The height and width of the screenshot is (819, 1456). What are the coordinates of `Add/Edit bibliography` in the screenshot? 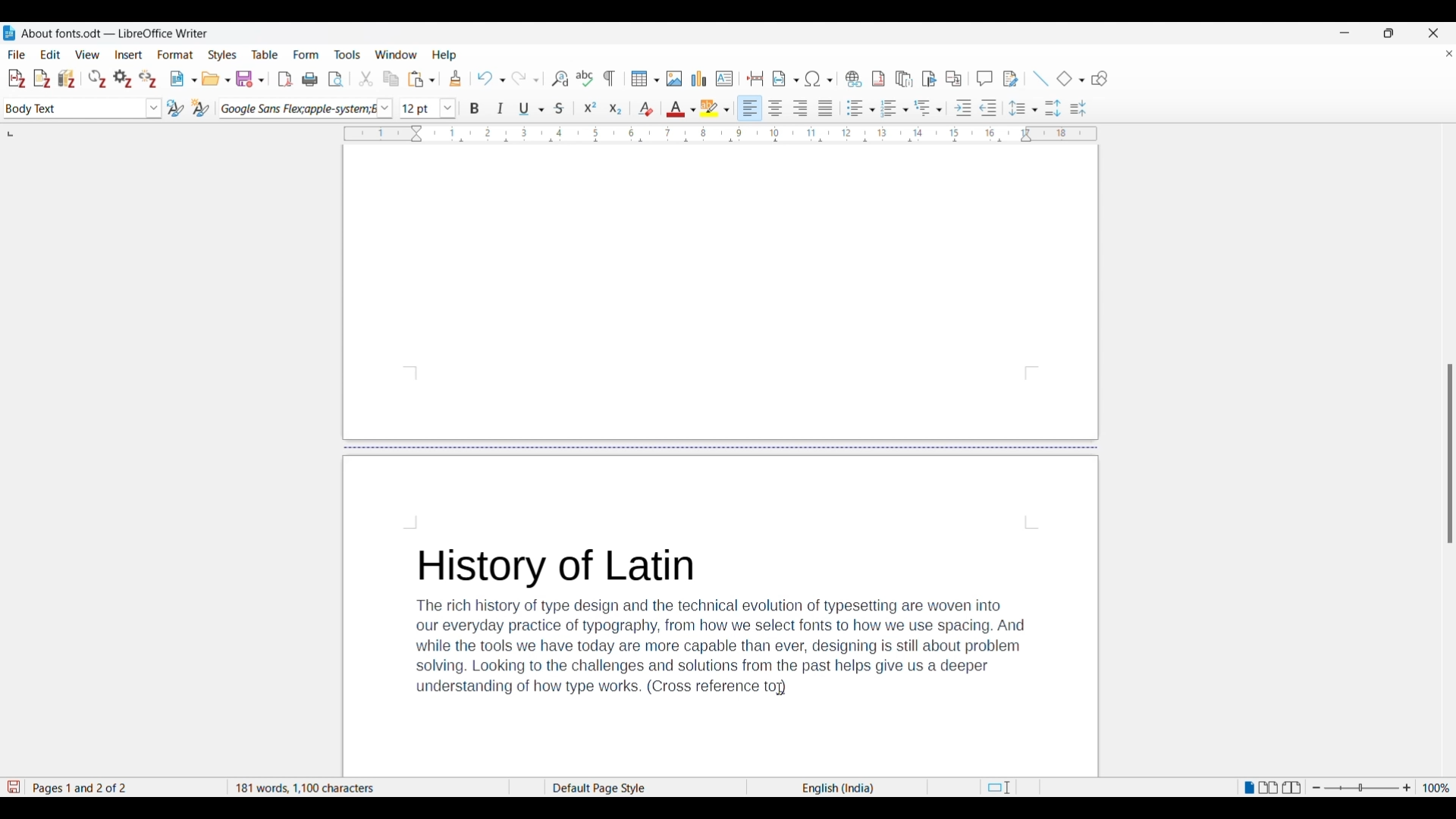 It's located at (67, 79).